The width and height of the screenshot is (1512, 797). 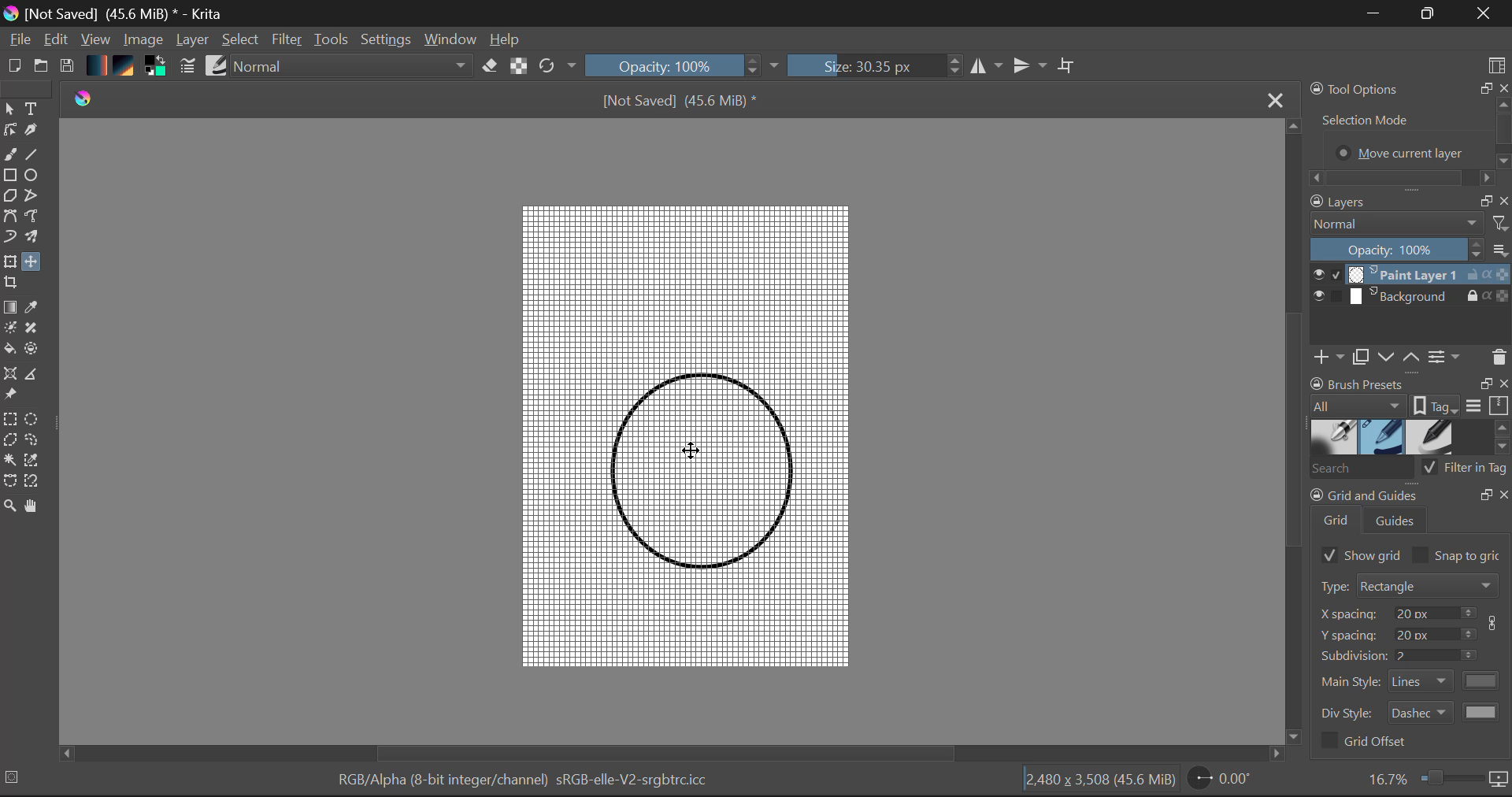 What do you see at coordinates (34, 418) in the screenshot?
I see `Elipses Selection Tool` at bounding box center [34, 418].